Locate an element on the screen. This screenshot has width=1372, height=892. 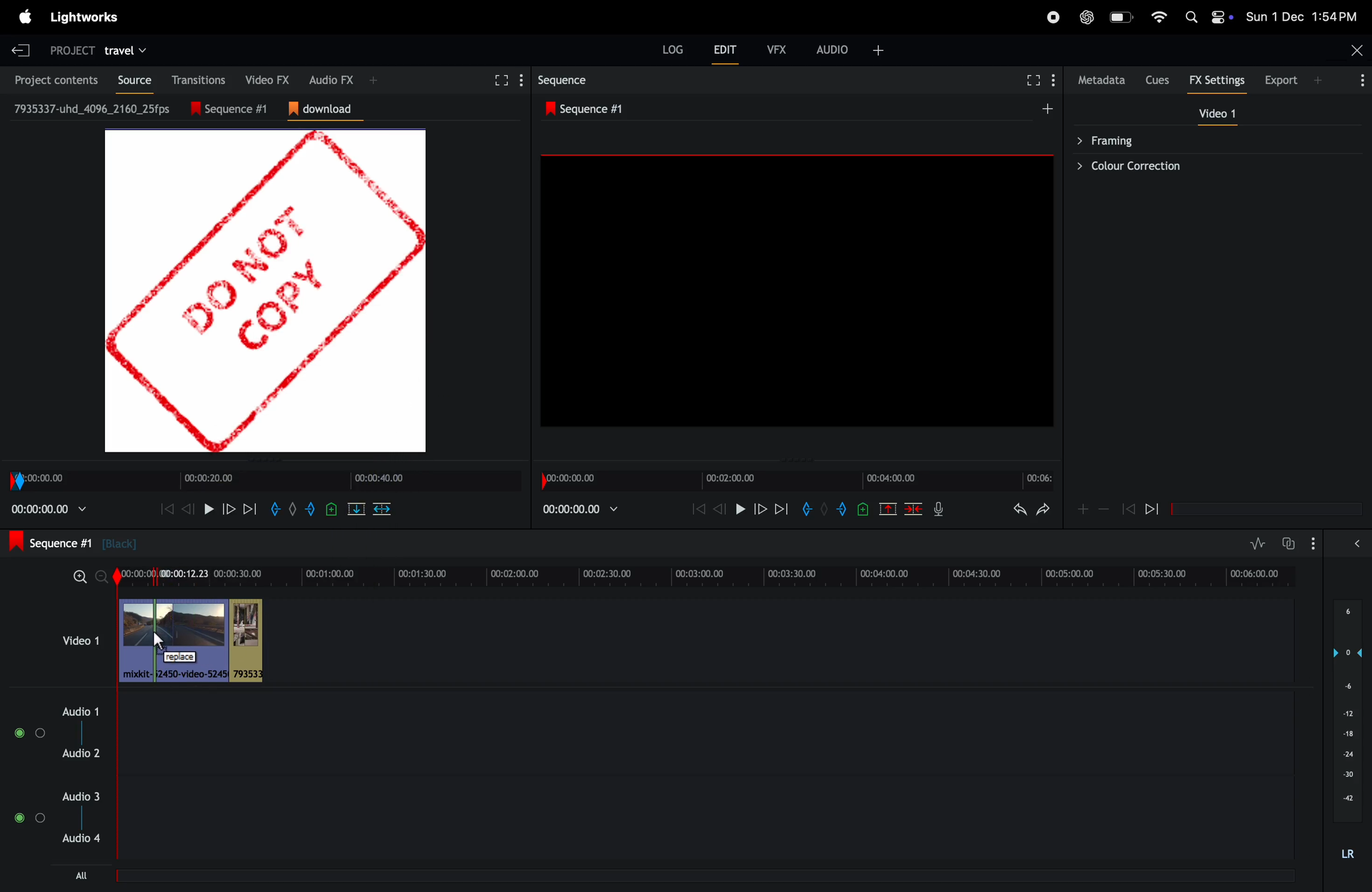
project is located at coordinates (72, 52).